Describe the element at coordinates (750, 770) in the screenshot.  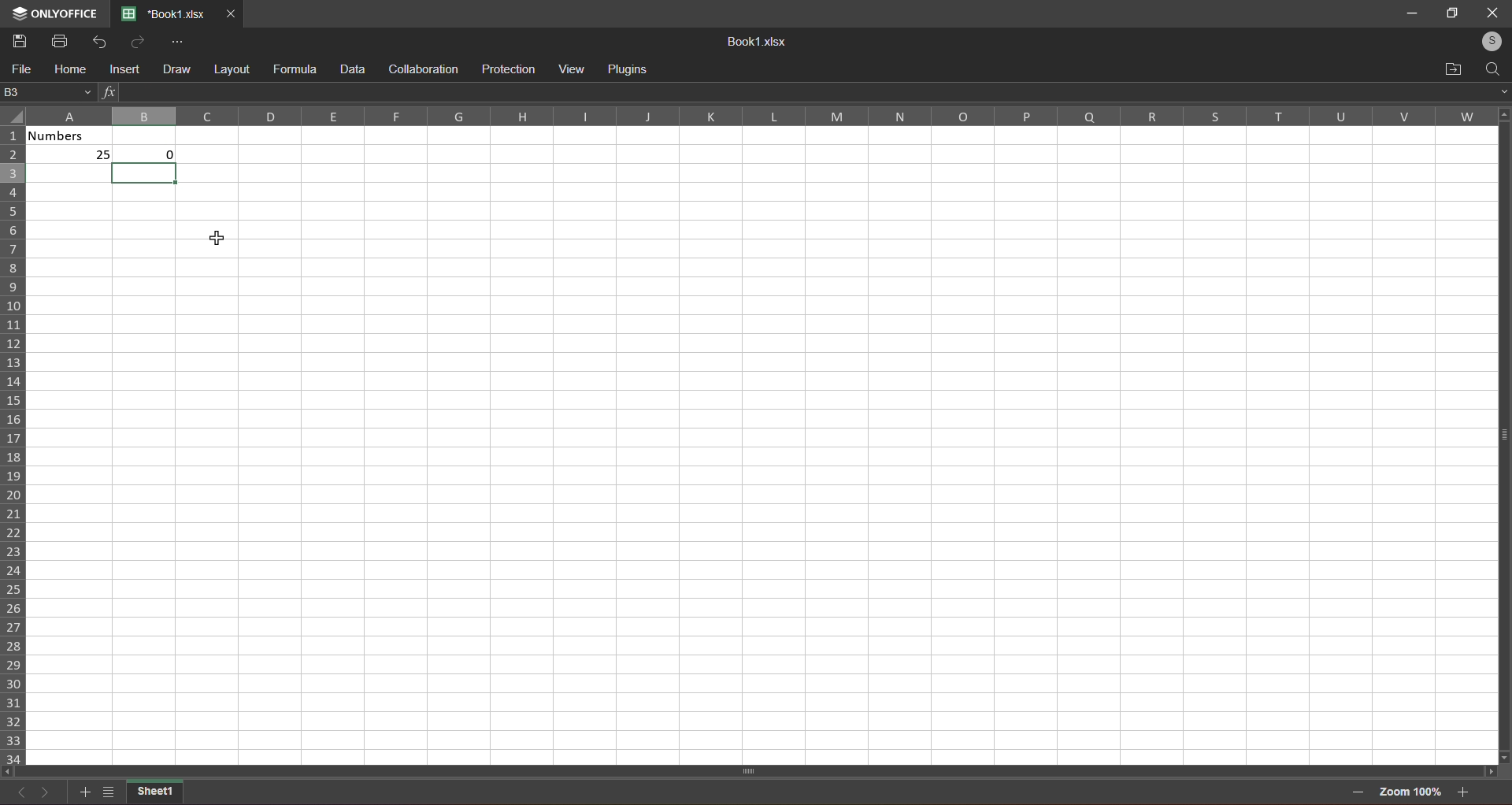
I see `Horizontal scroll bar` at that location.